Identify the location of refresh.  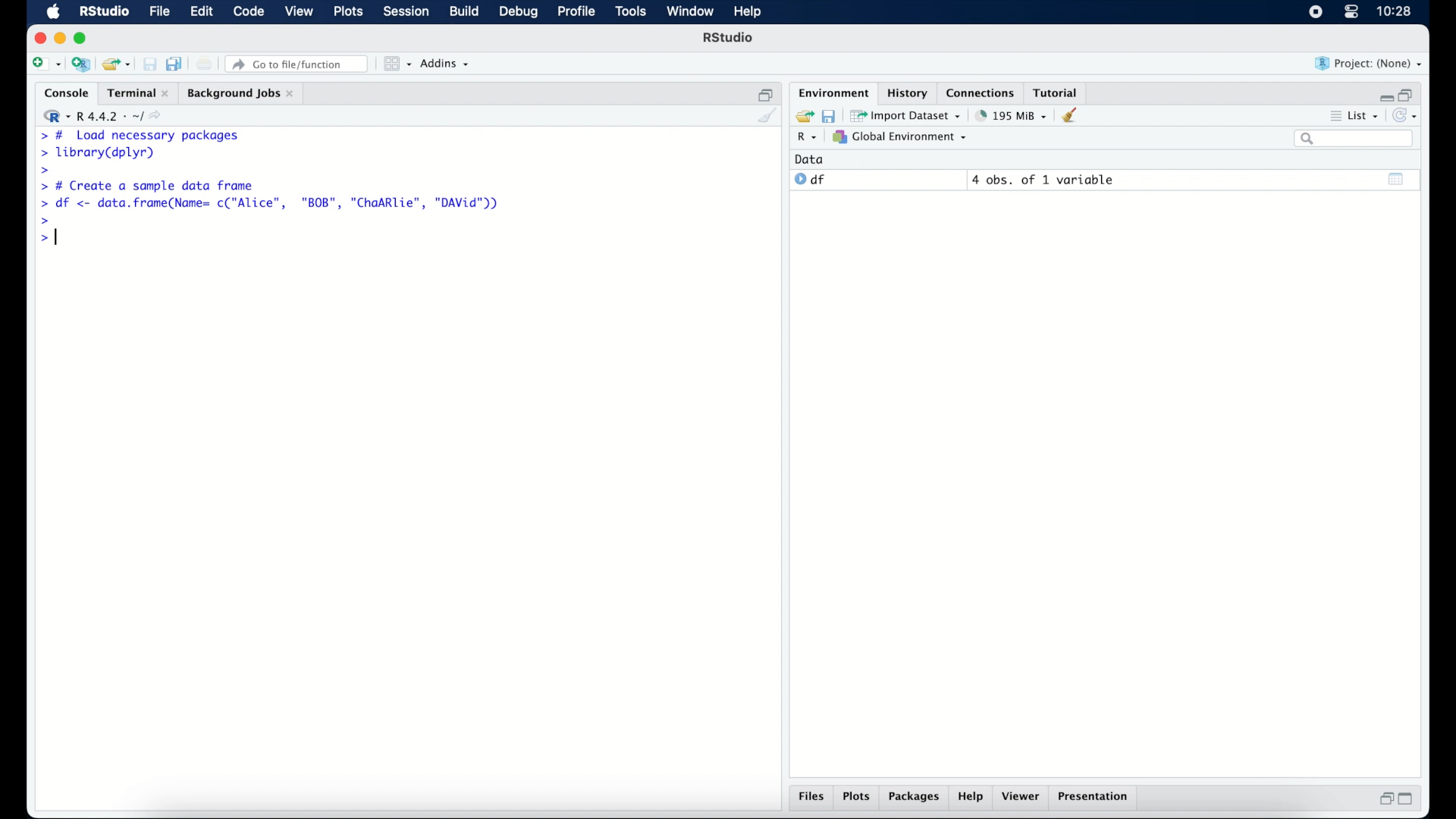
(1407, 117).